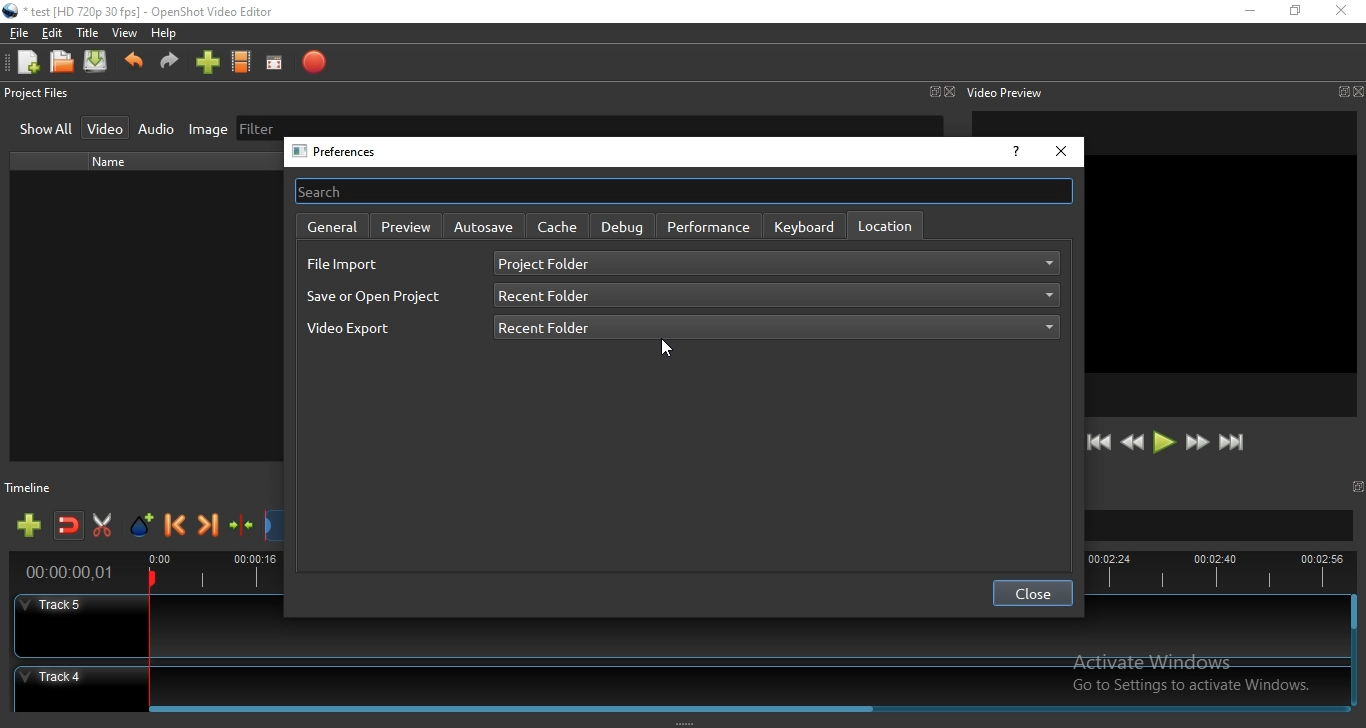 The image size is (1366, 728). What do you see at coordinates (1233, 443) in the screenshot?
I see `Jump to end` at bounding box center [1233, 443].